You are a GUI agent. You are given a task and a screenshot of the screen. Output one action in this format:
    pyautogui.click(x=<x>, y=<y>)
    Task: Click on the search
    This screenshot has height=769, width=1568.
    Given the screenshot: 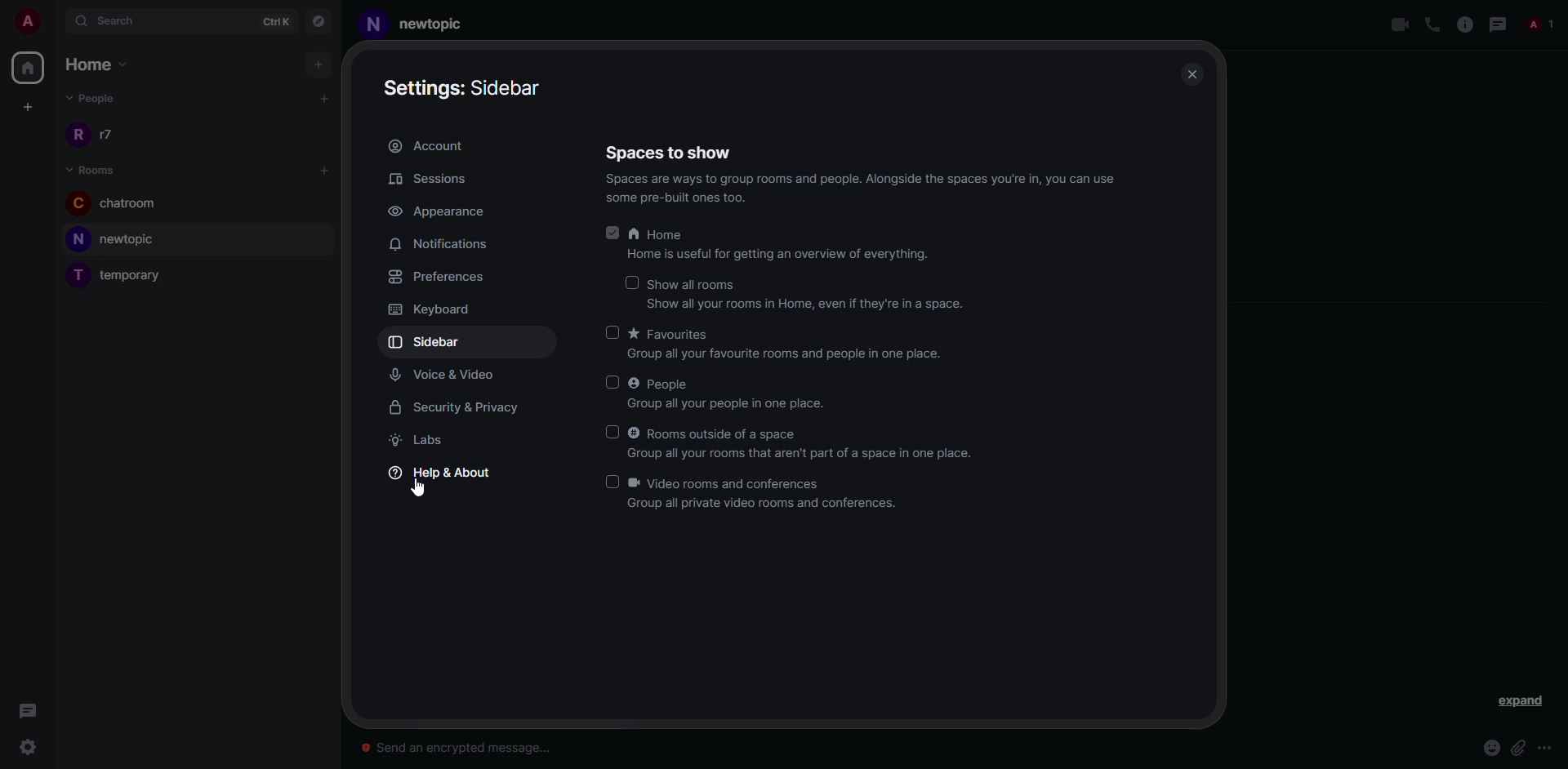 What is the action you would take?
    pyautogui.click(x=123, y=23)
    